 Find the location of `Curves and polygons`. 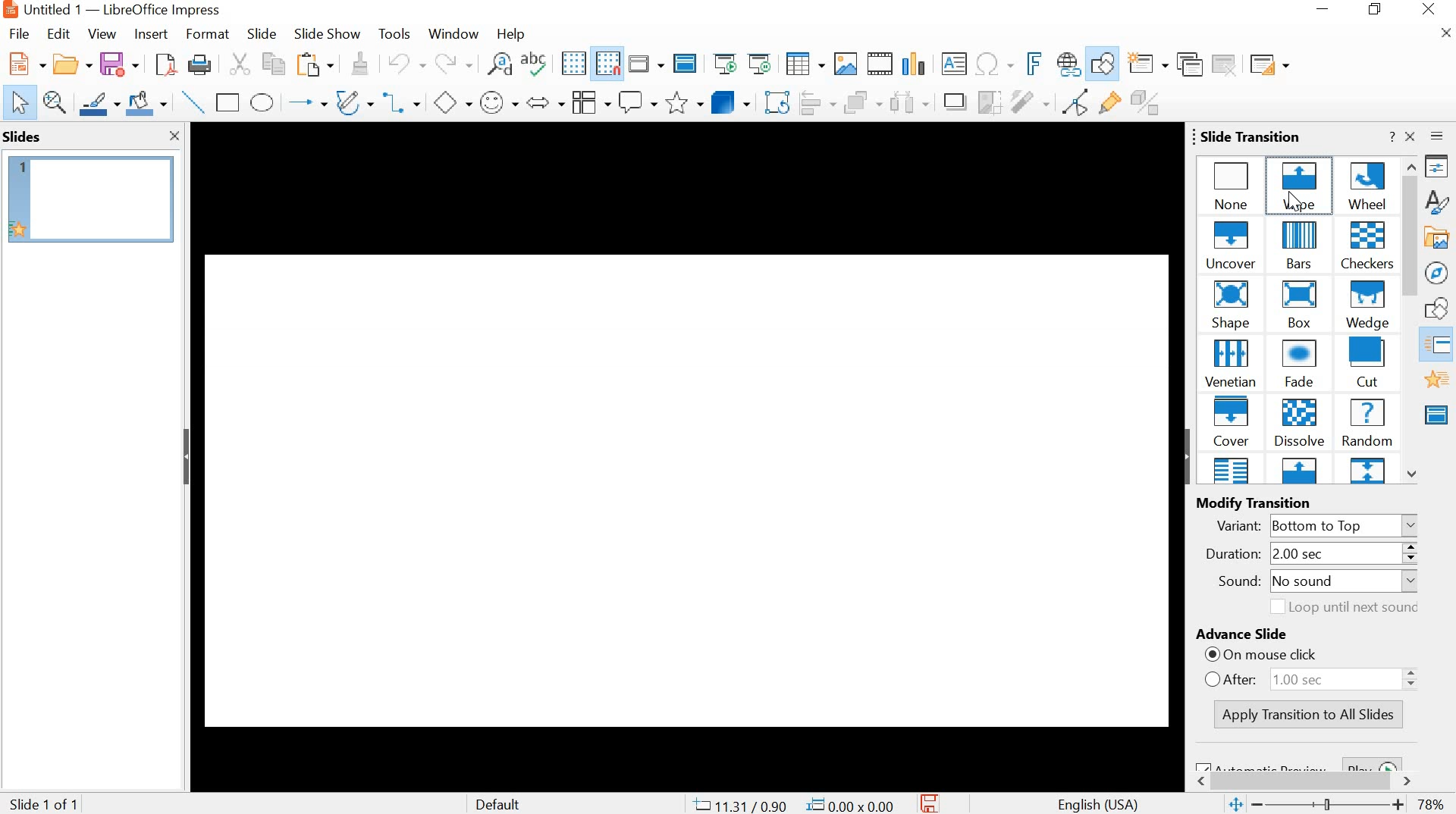

Curves and polygons is located at coordinates (354, 101).